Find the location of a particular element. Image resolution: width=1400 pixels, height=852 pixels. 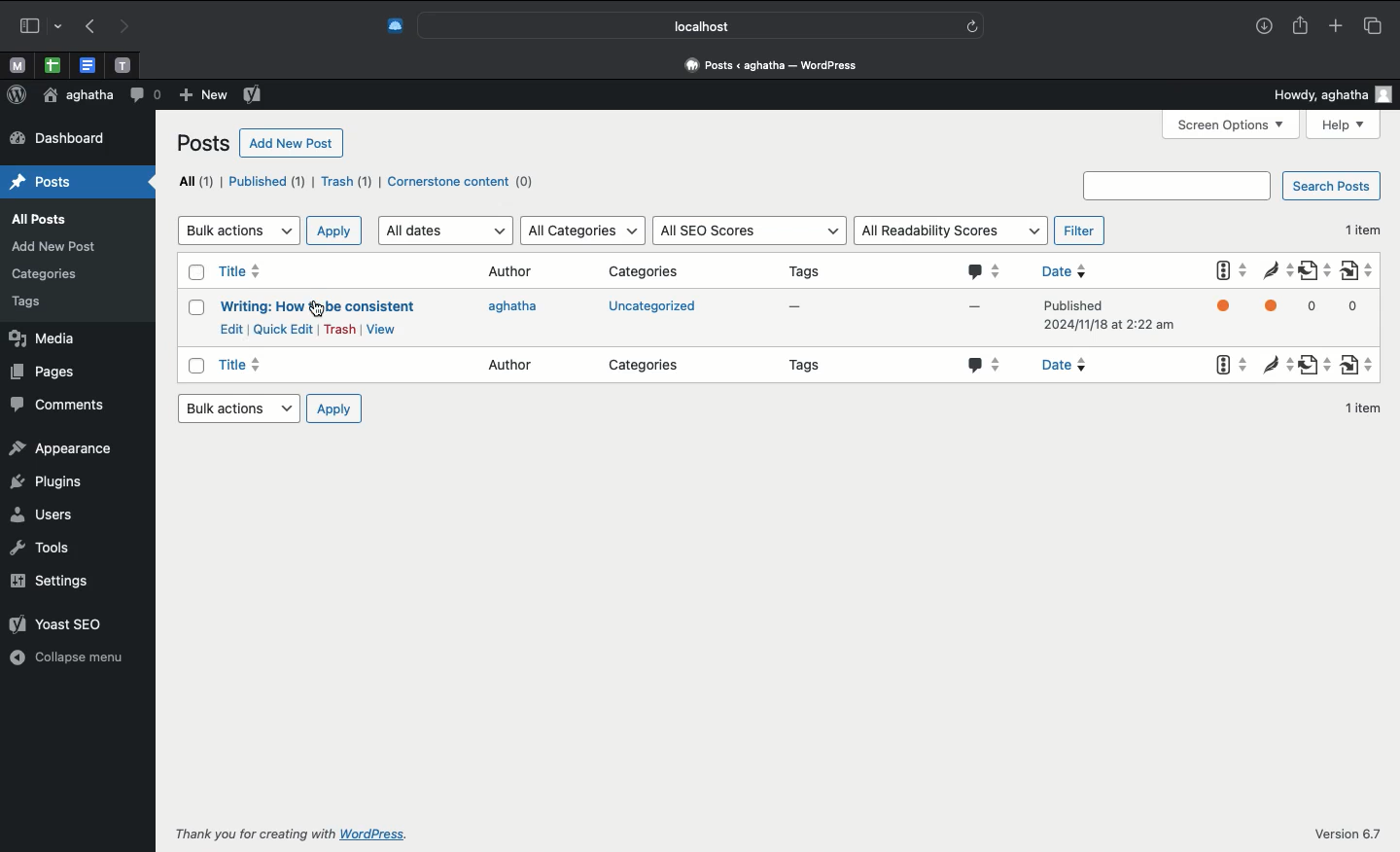

Checkbox is located at coordinates (192, 310).